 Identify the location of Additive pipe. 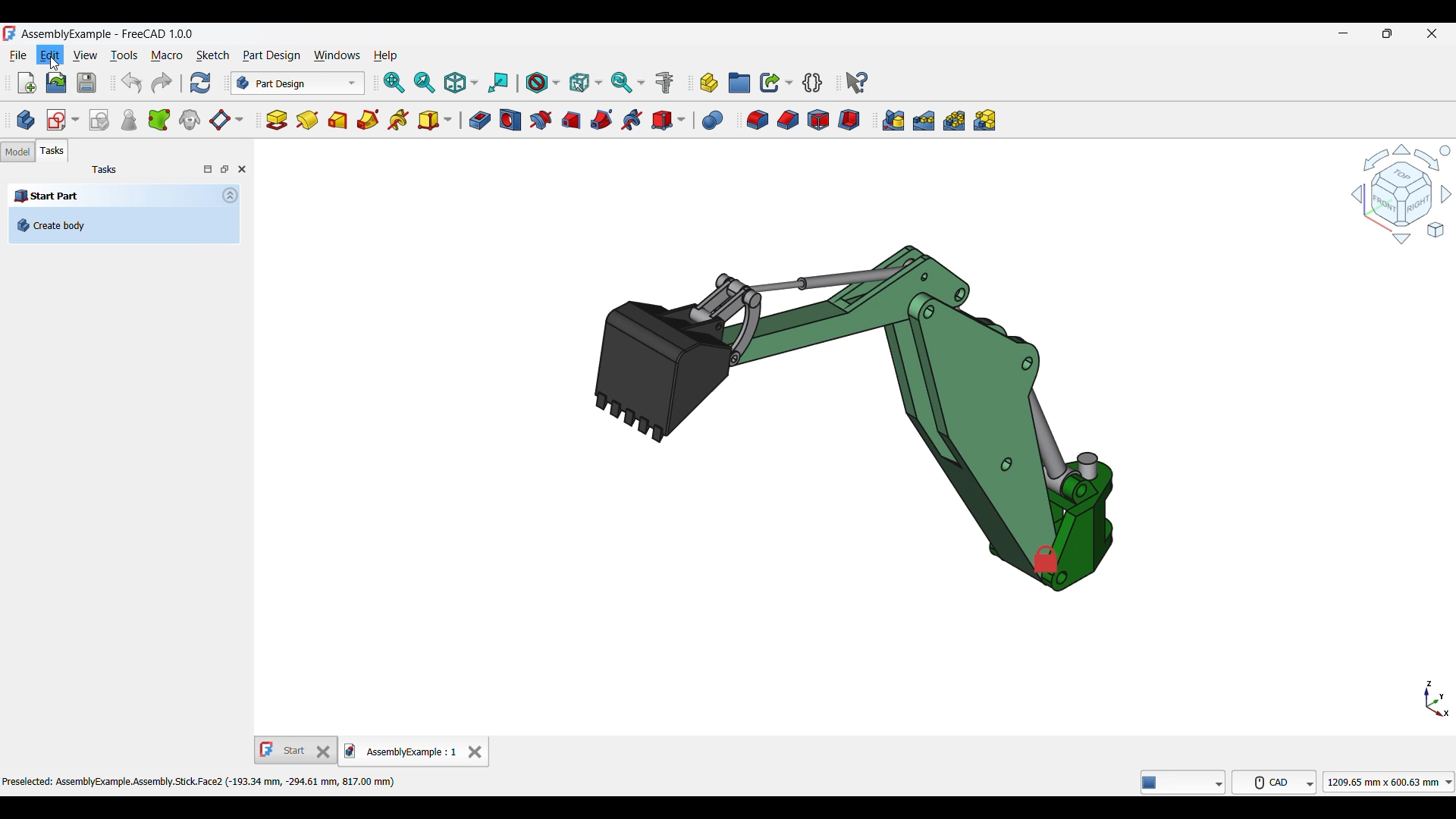
(368, 120).